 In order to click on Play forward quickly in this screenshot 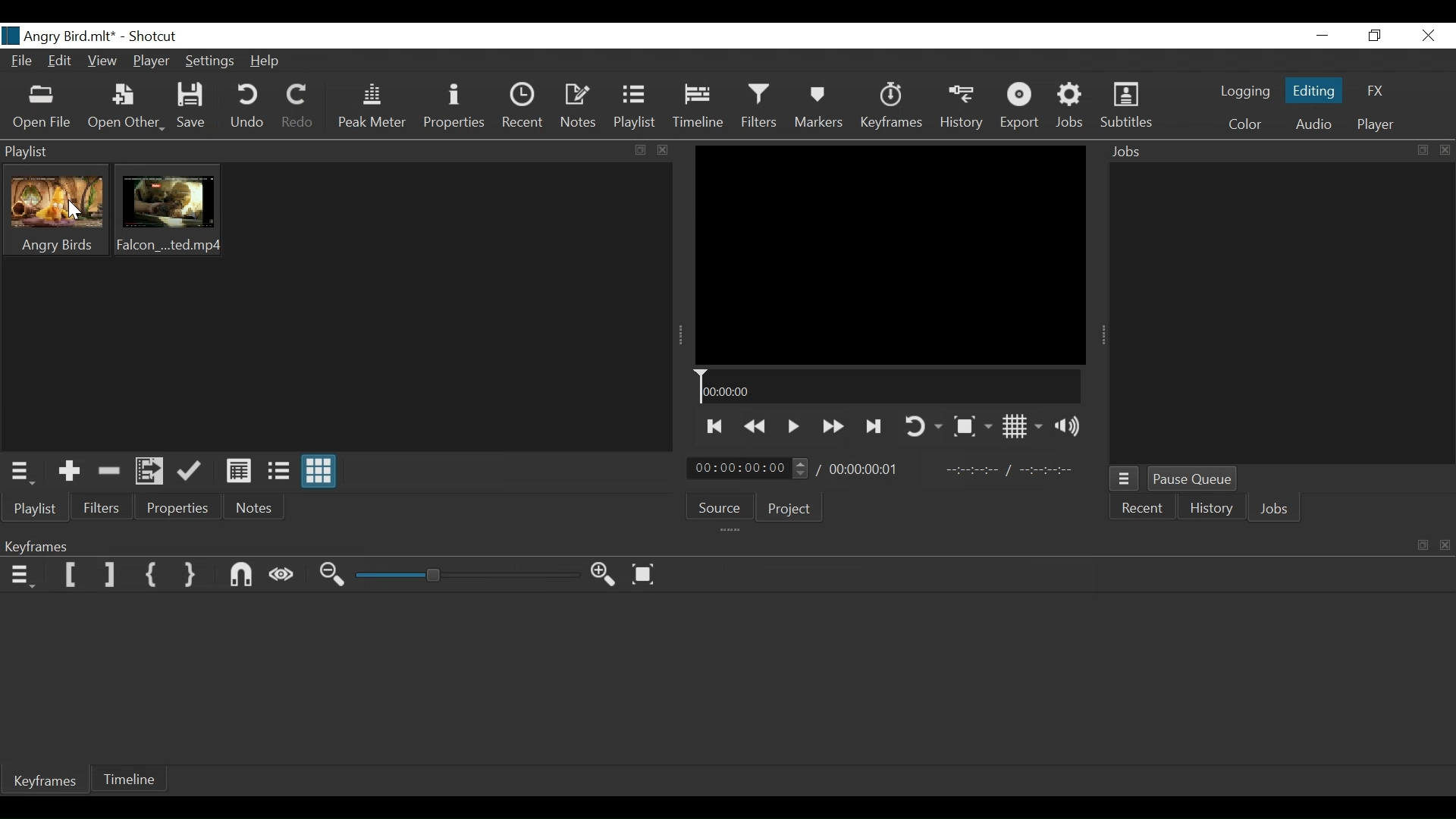, I will do `click(831, 425)`.